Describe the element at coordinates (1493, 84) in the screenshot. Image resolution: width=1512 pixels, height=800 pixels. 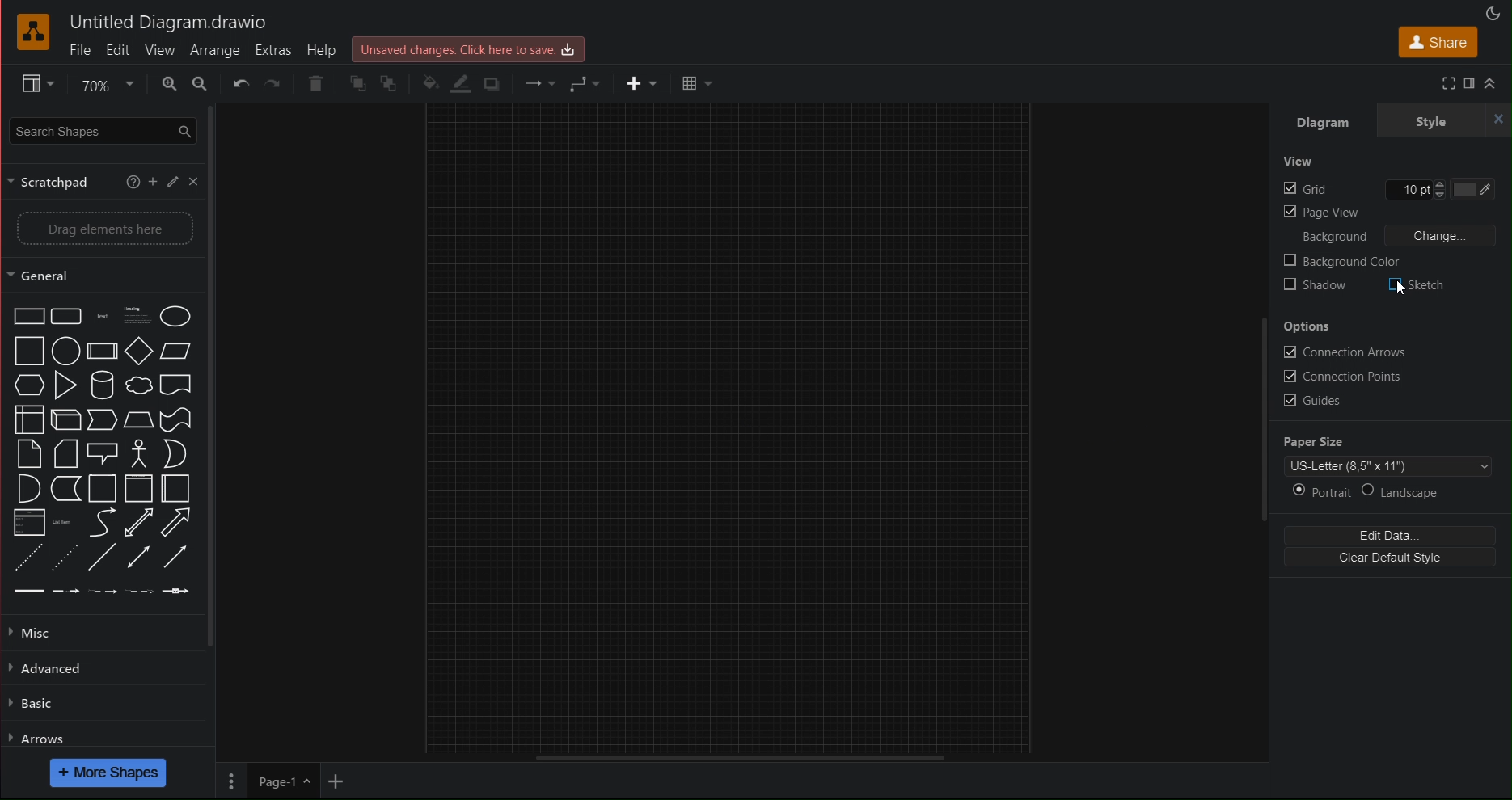
I see `Collapse` at that location.